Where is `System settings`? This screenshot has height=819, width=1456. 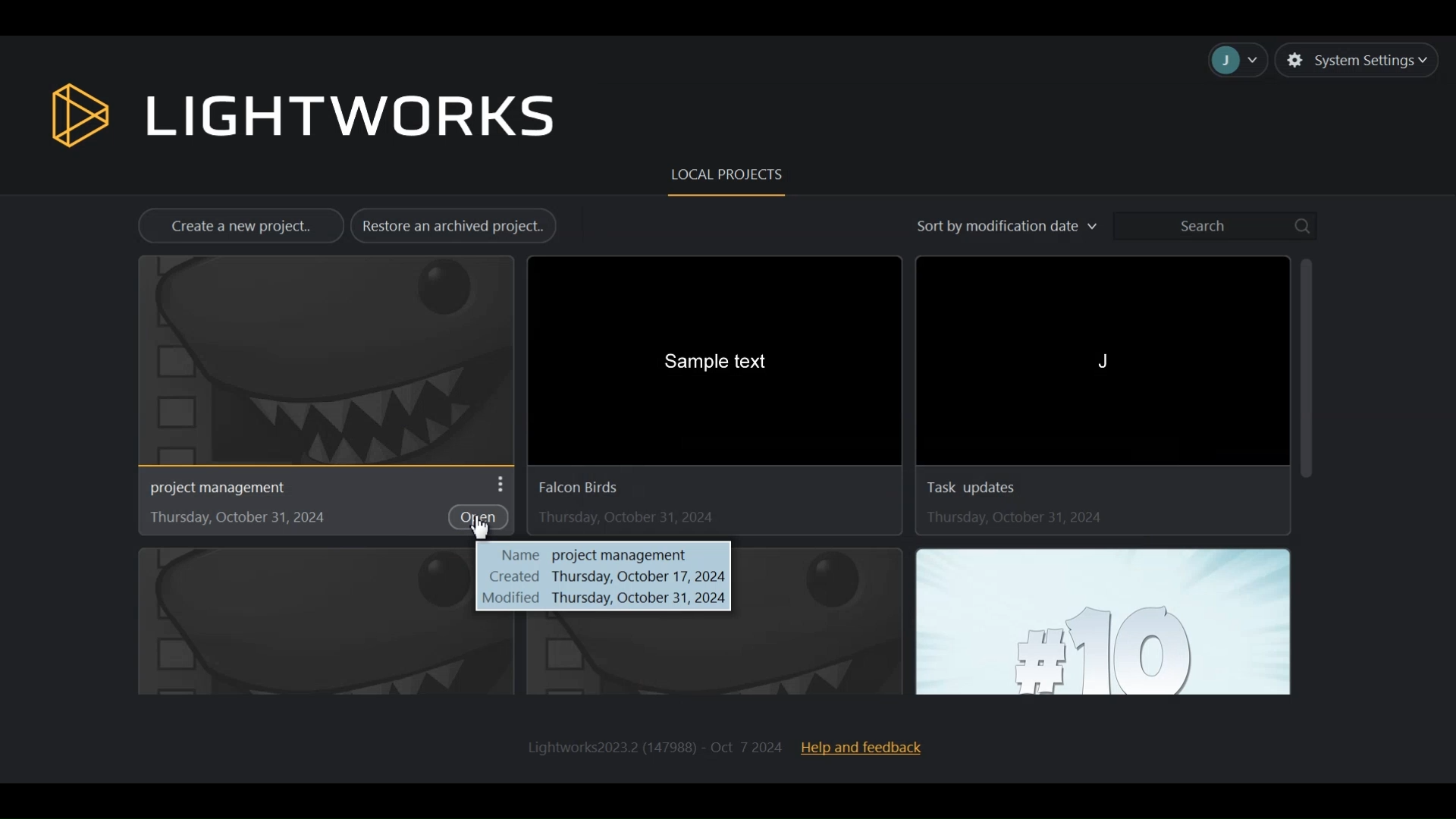
System settings is located at coordinates (1358, 58).